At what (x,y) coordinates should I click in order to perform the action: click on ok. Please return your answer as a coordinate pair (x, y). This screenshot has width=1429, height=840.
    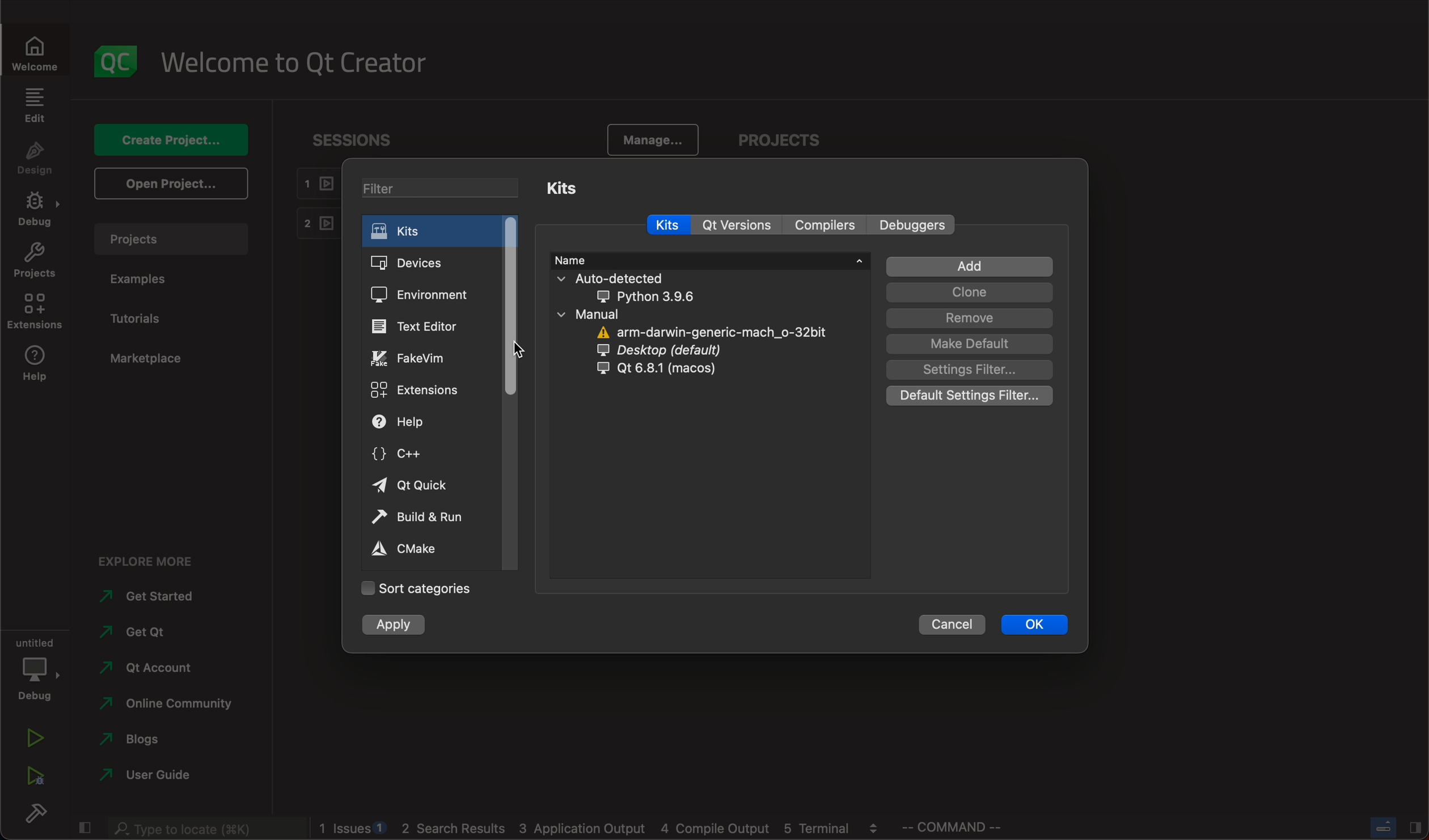
    Looking at the image, I should click on (1034, 624).